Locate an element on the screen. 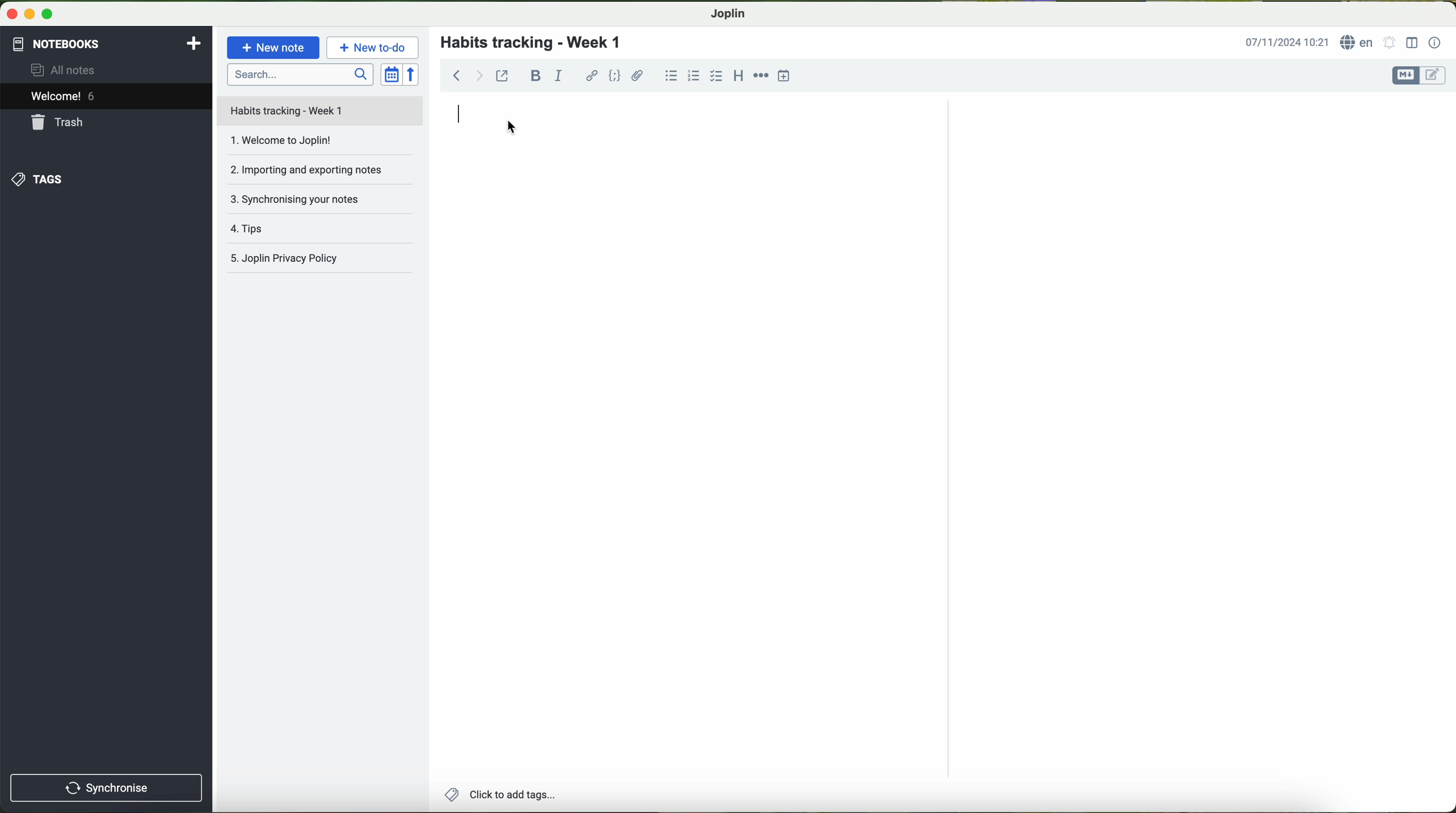 Image resolution: width=1456 pixels, height=813 pixels. maximize is located at coordinates (48, 14).